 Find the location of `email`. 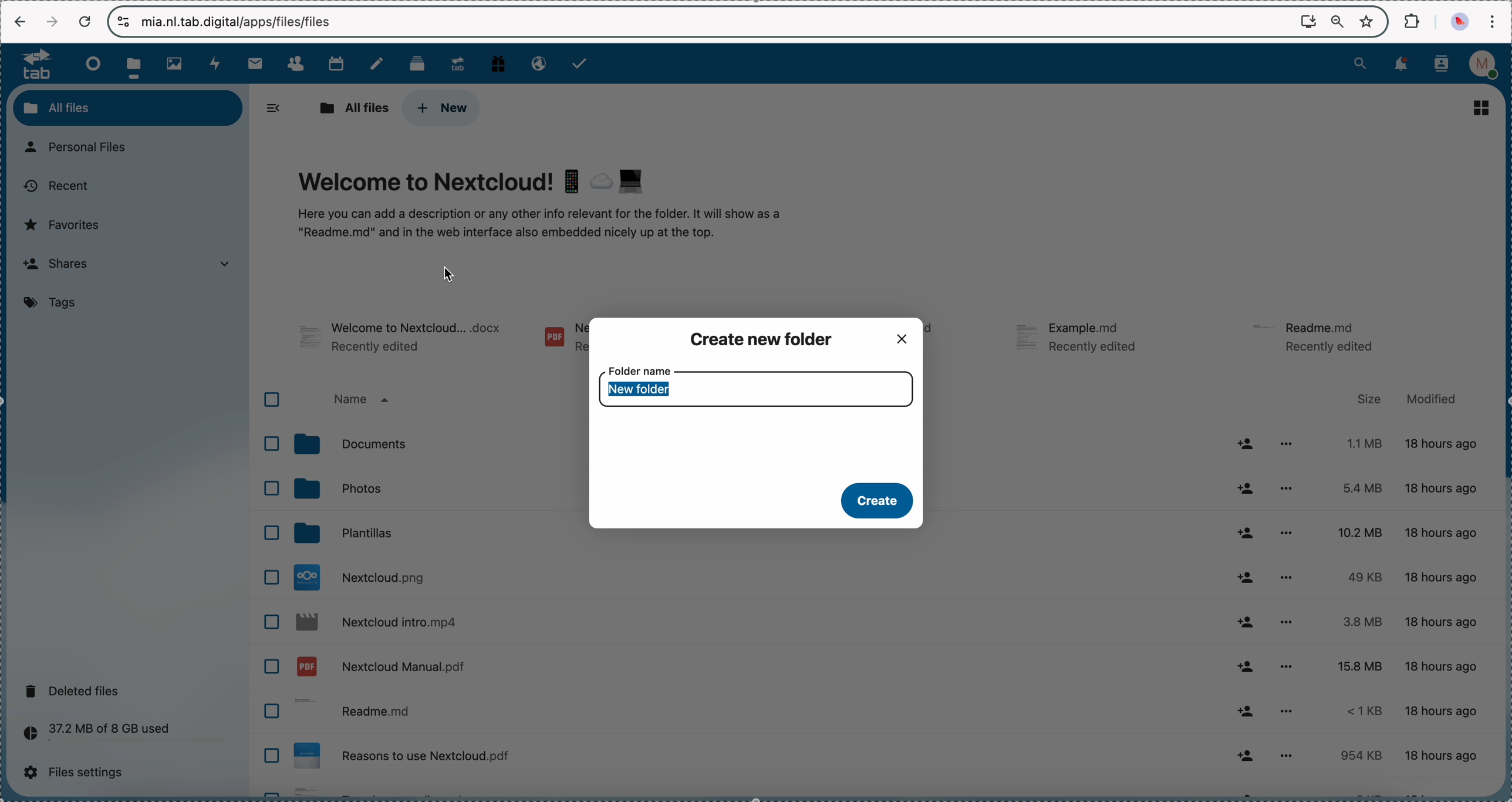

email is located at coordinates (536, 62).